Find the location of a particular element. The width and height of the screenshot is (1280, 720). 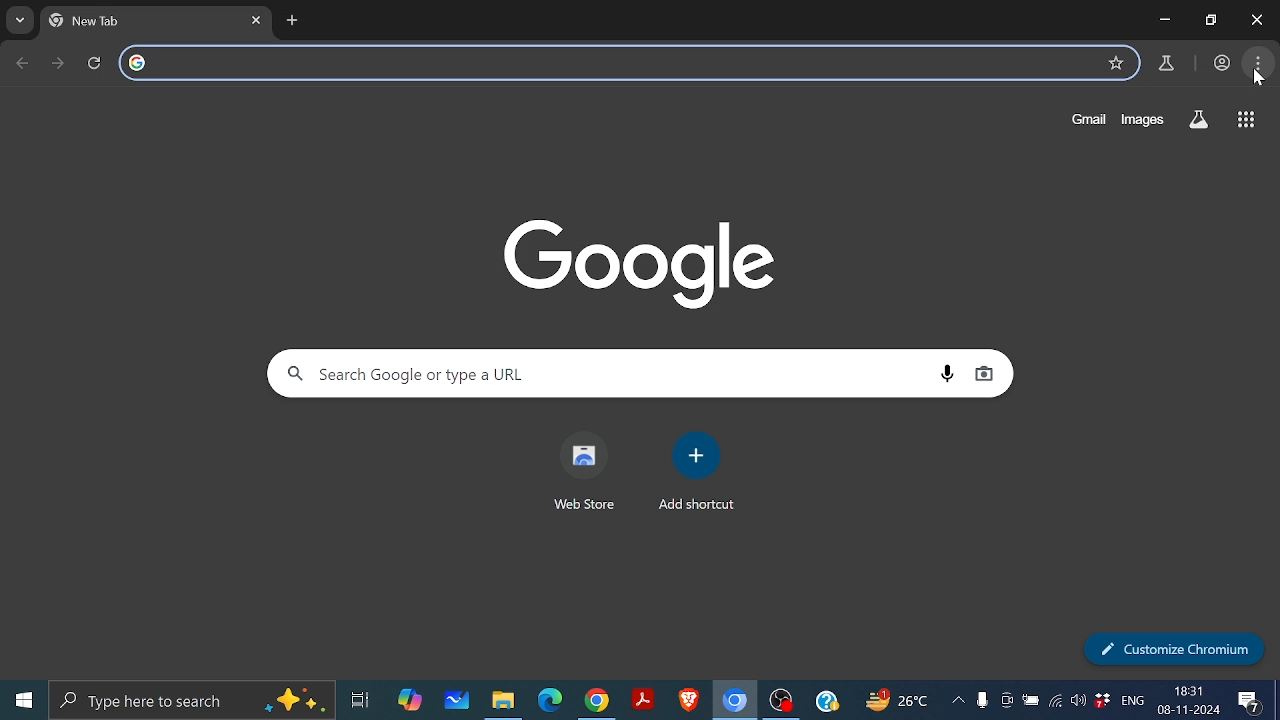

web store is located at coordinates (584, 454).